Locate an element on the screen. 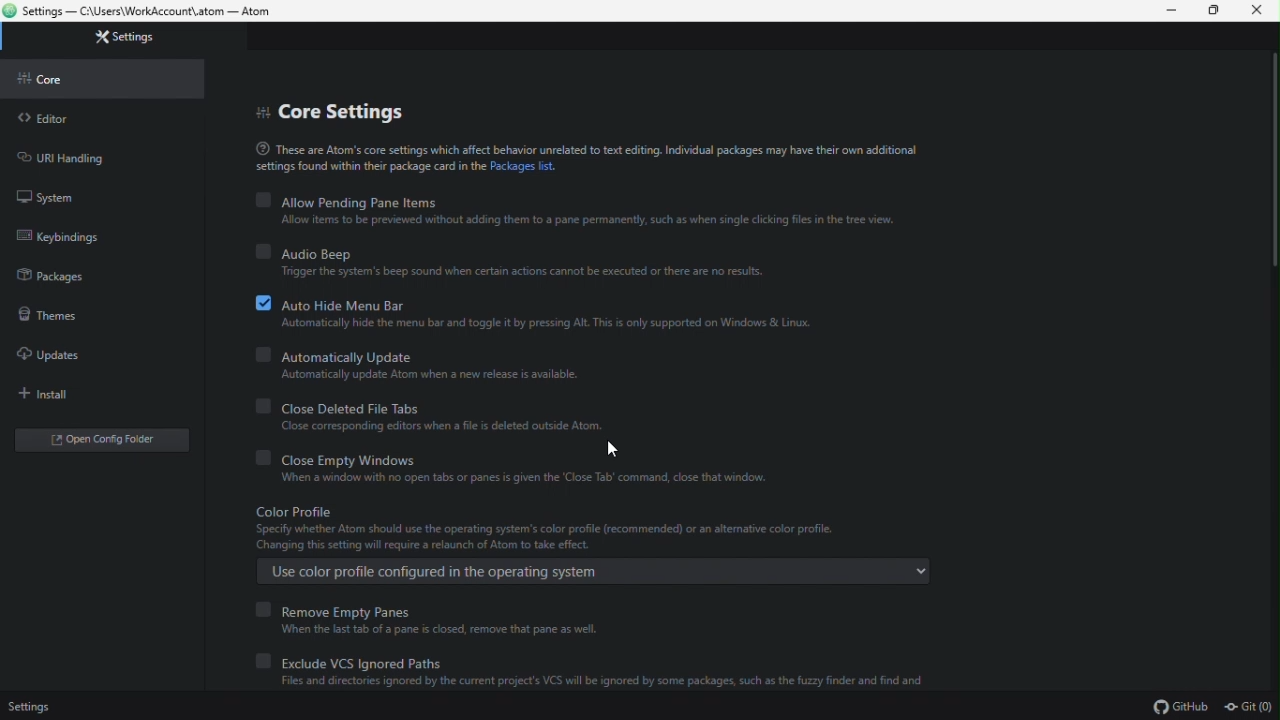 The image size is (1280, 720). core is located at coordinates (104, 76).